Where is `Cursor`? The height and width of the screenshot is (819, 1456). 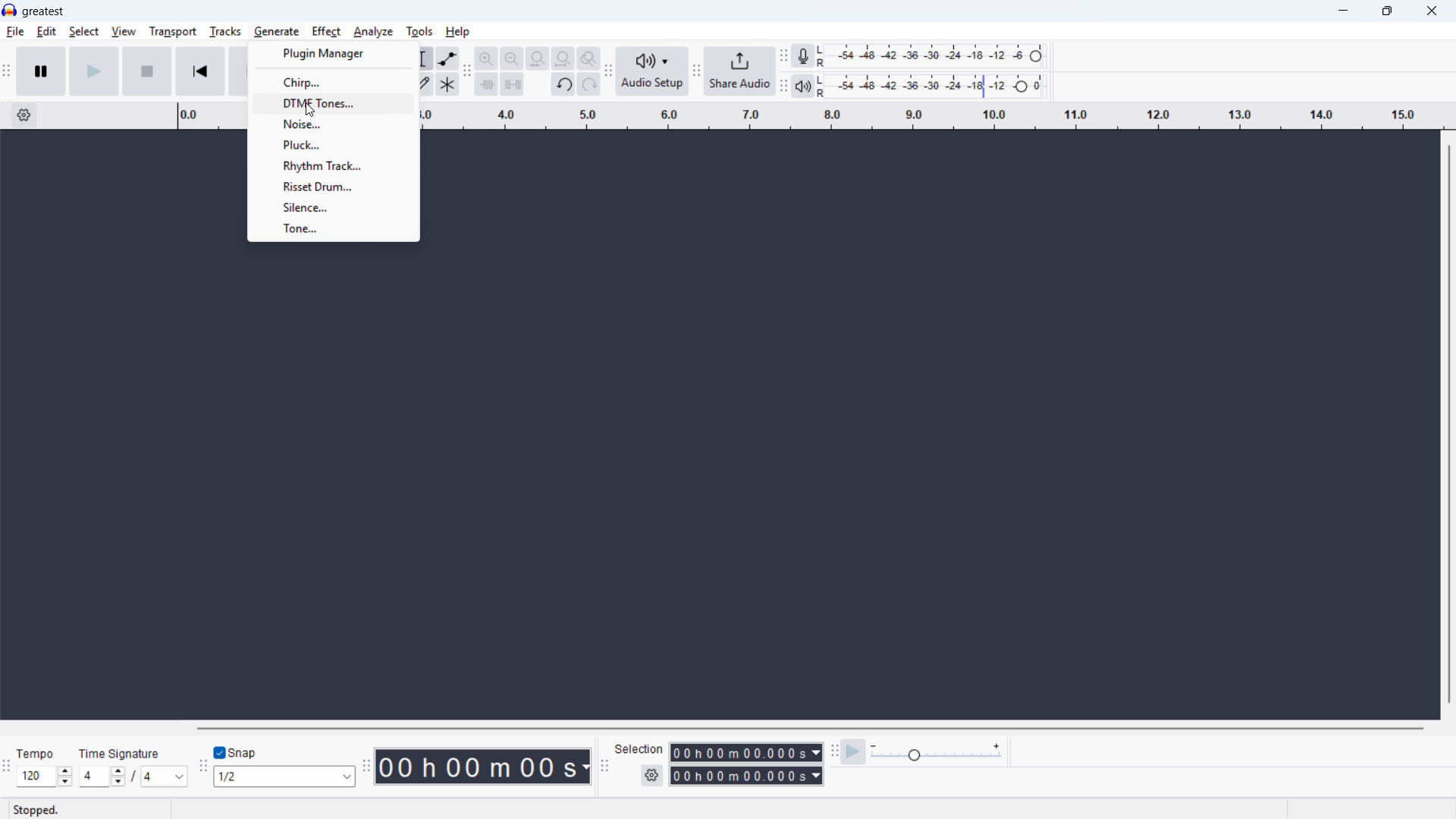 Cursor is located at coordinates (309, 111).